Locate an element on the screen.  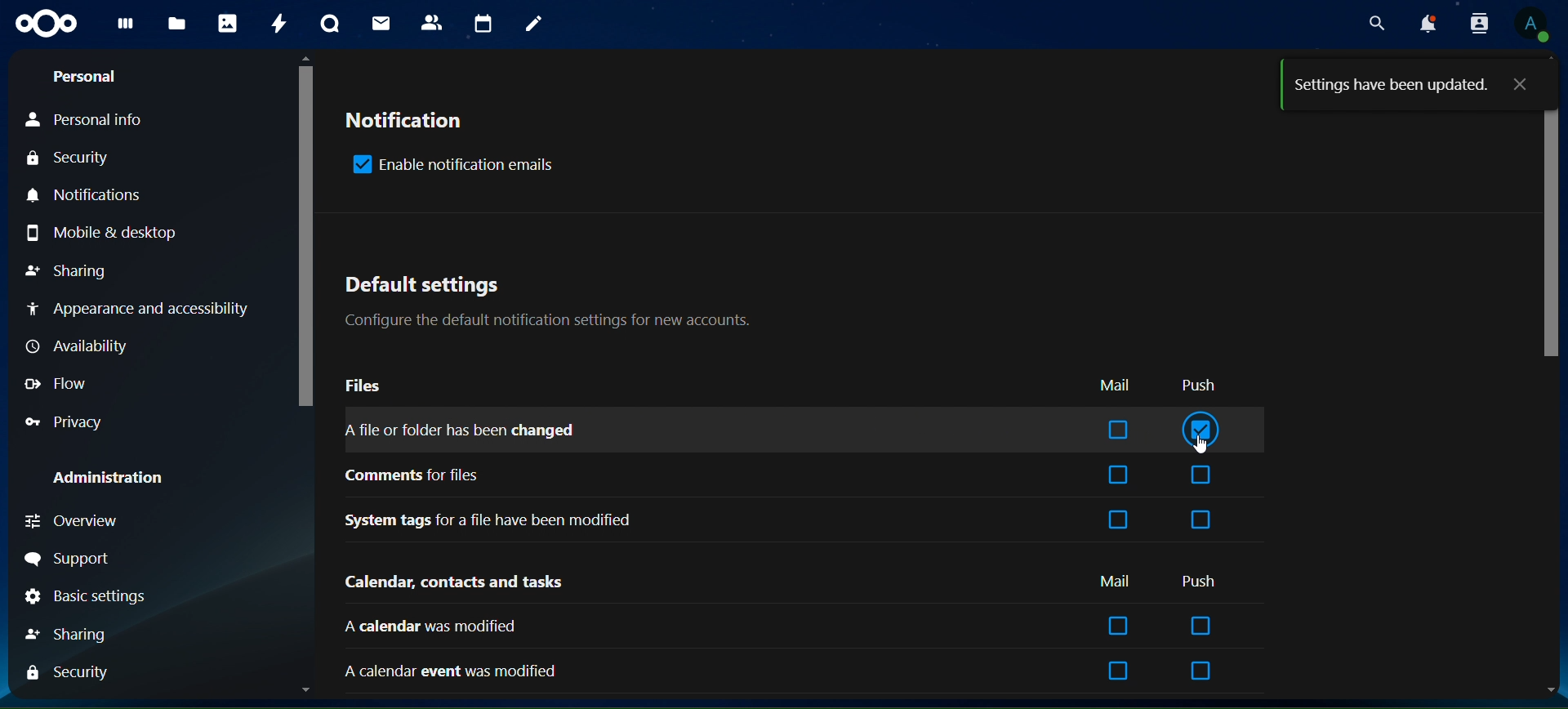
default settings configure the default notification settings for new accounts. is located at coordinates (559, 304).